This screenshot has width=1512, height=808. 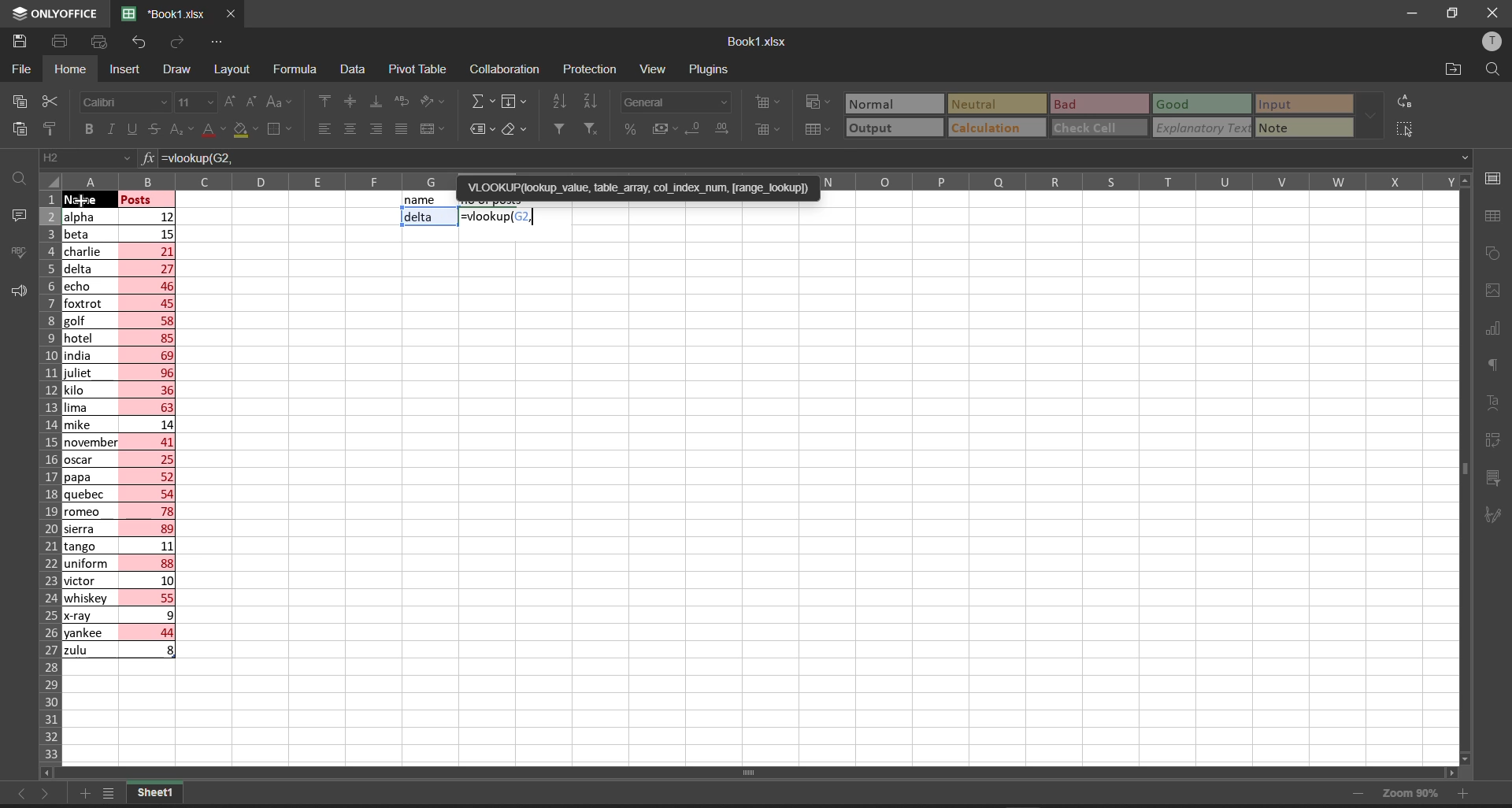 I want to click on draw, so click(x=174, y=69).